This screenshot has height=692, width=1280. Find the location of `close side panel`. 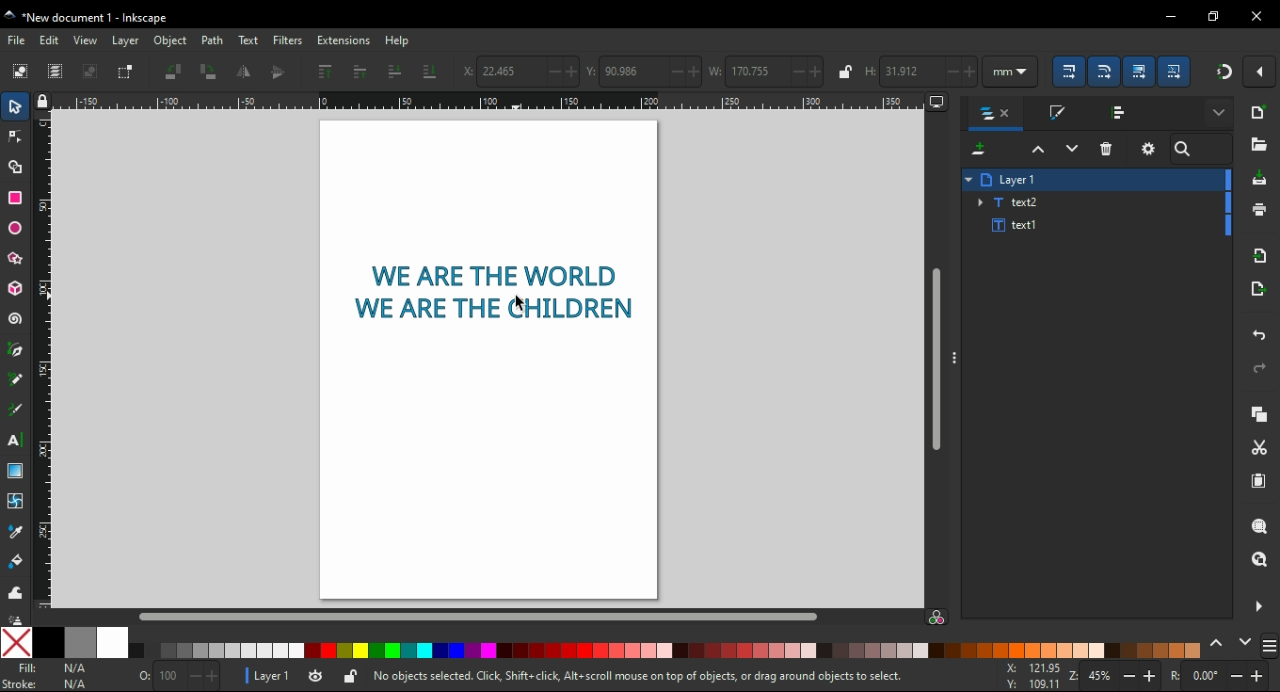

close side panel is located at coordinates (1257, 607).